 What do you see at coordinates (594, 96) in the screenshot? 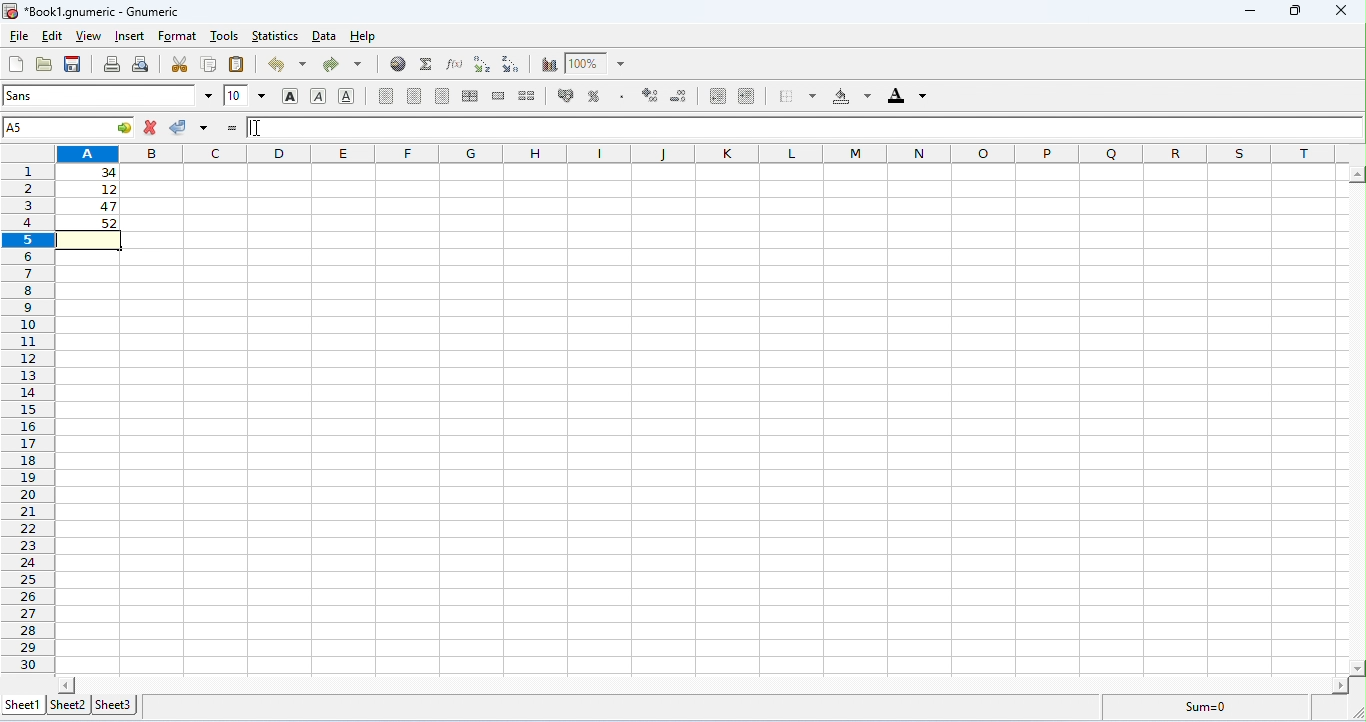
I see `format as percent` at bounding box center [594, 96].